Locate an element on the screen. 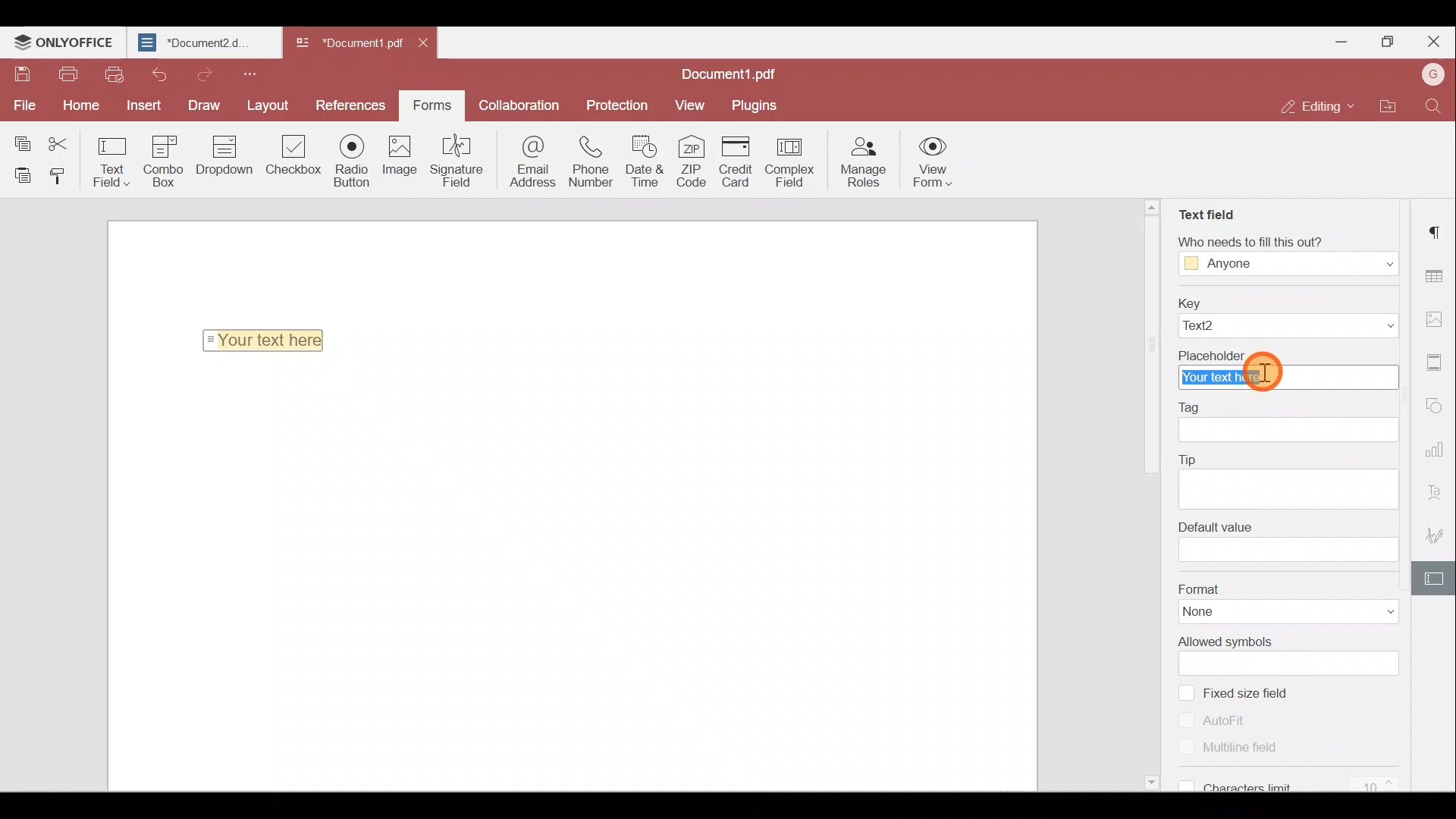  Close document is located at coordinates (427, 45).